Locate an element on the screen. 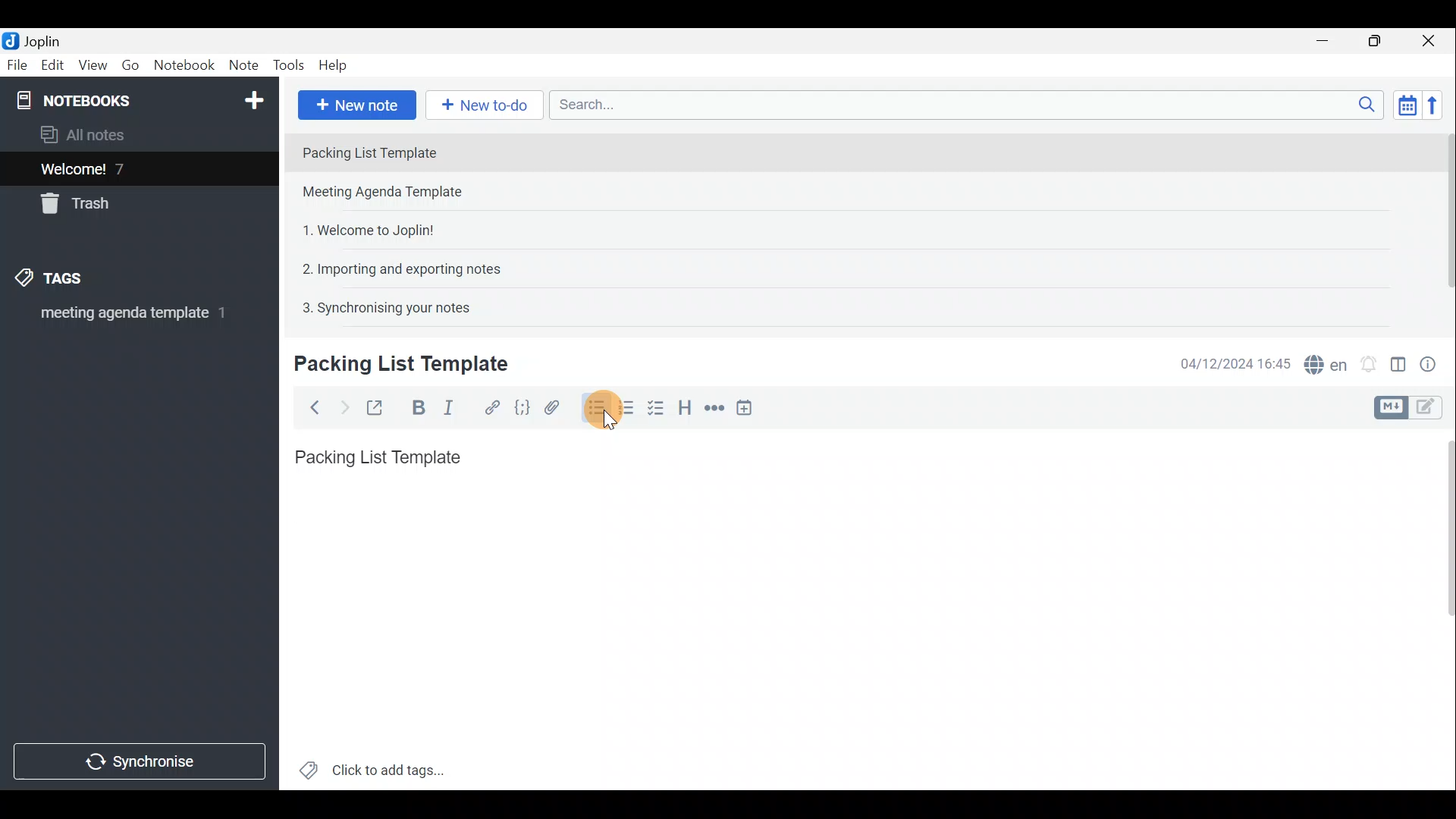  Scroll bar is located at coordinates (1442, 221).